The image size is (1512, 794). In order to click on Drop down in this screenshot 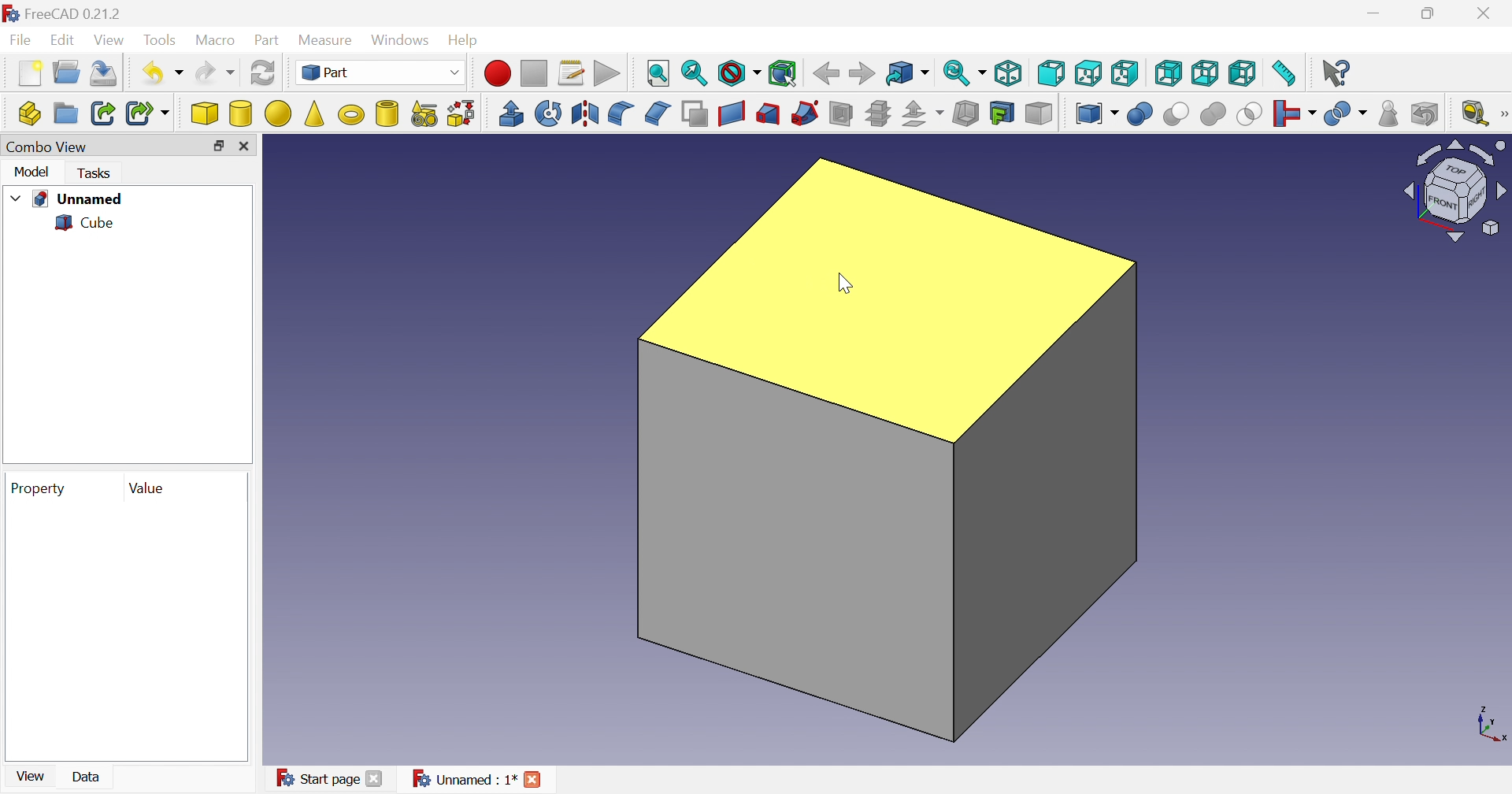, I will do `click(17, 195)`.